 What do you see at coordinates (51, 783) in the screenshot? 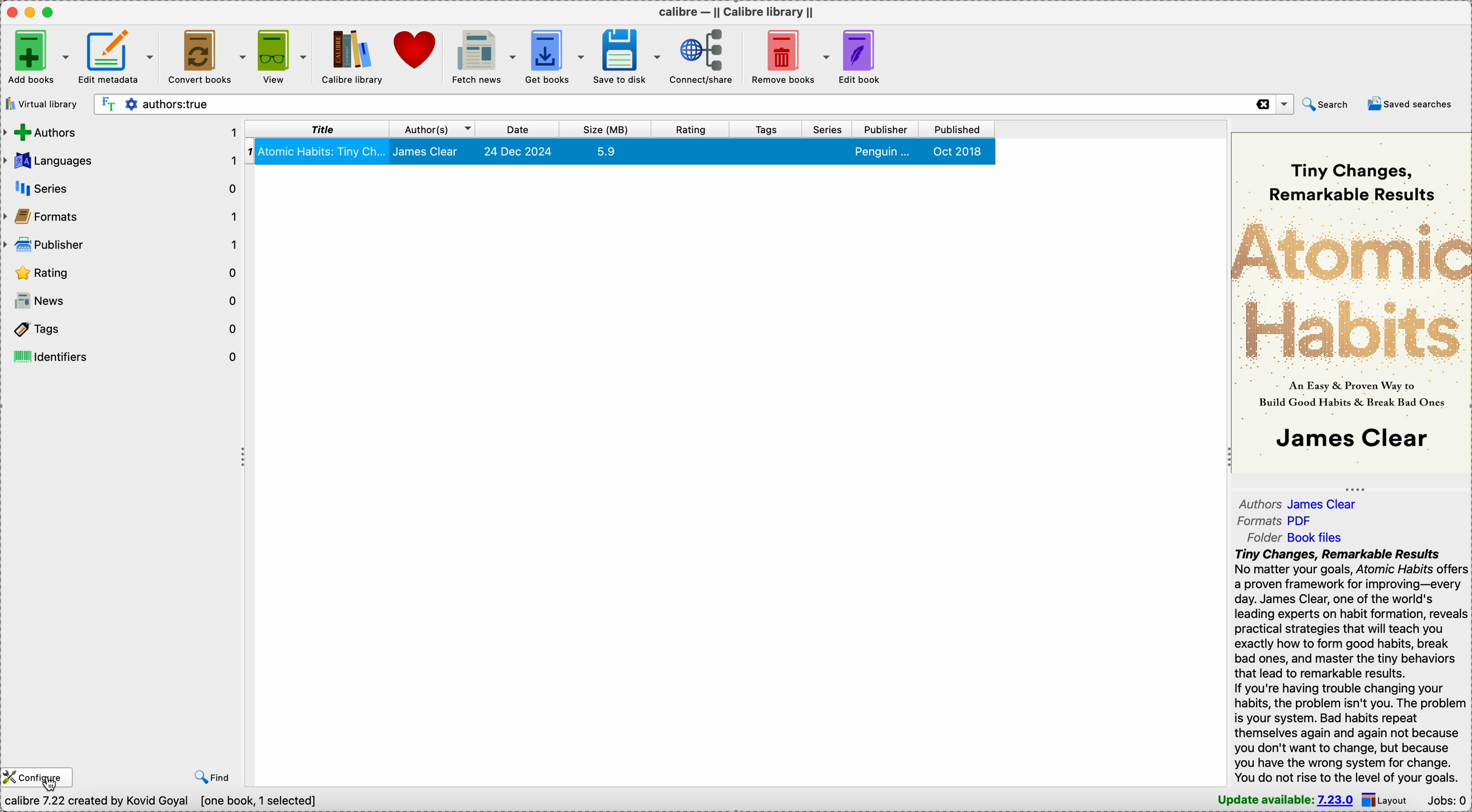
I see `cursor` at bounding box center [51, 783].